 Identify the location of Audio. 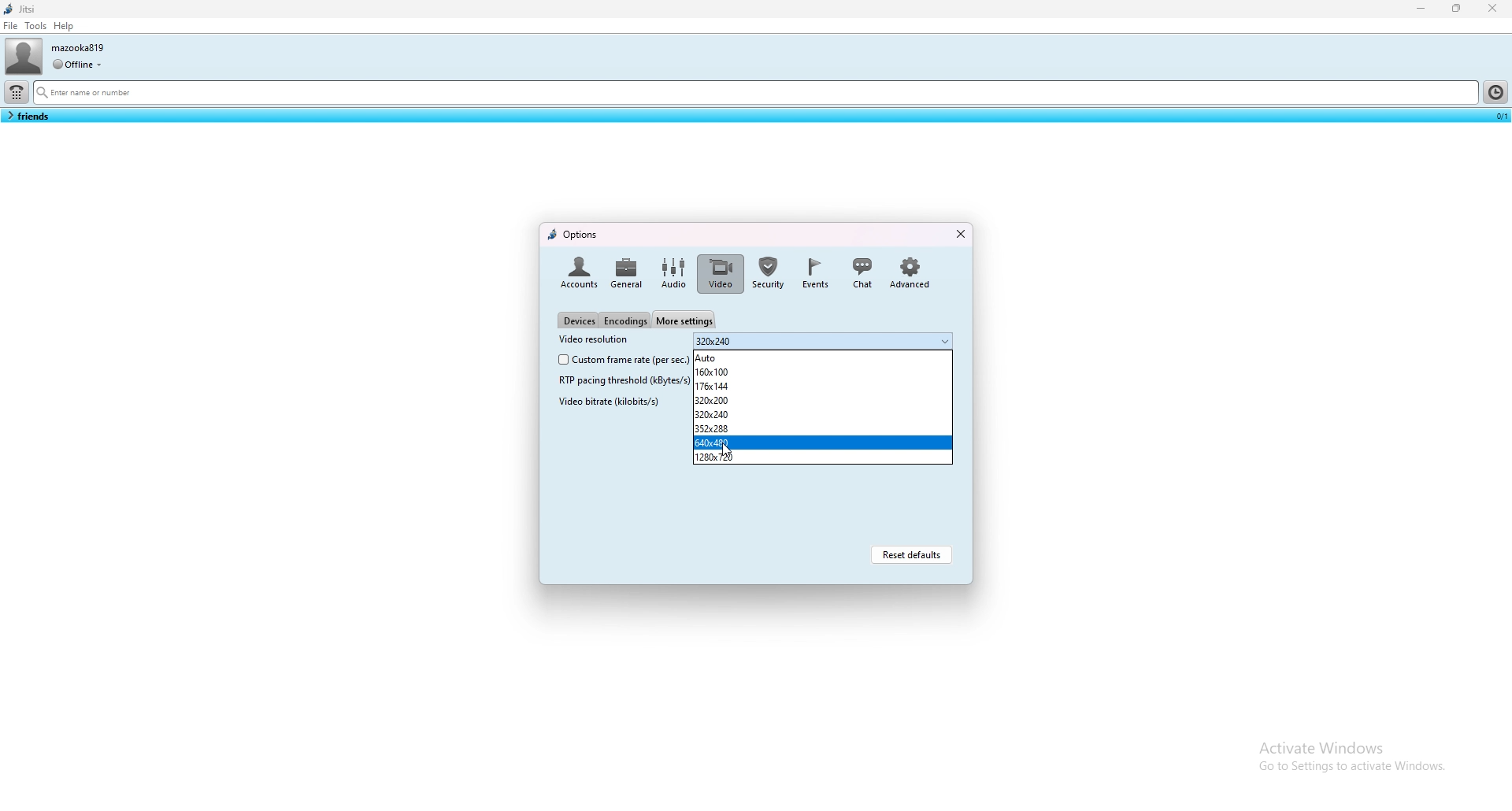
(673, 273).